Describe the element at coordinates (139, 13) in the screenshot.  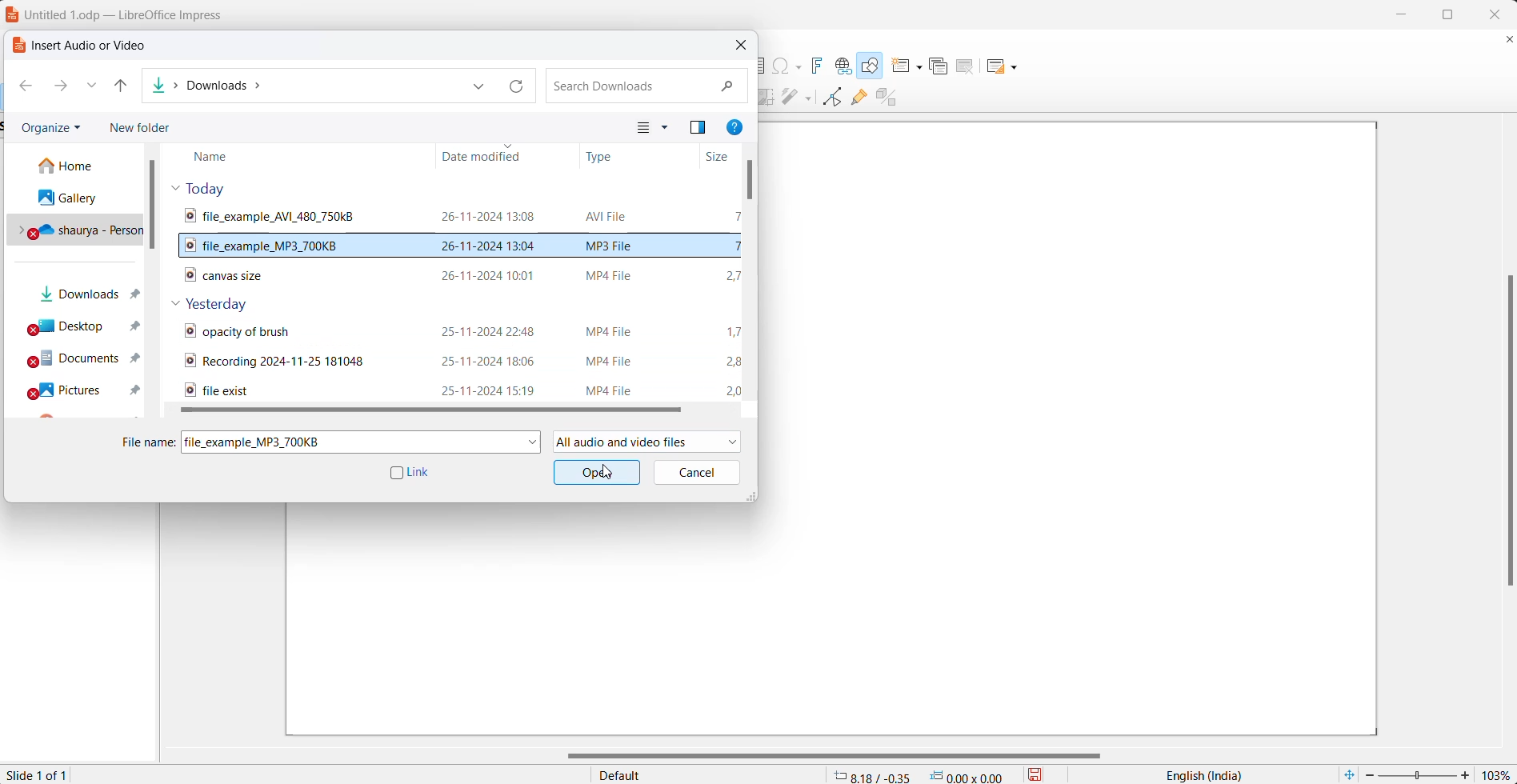
I see `File name and application` at that location.